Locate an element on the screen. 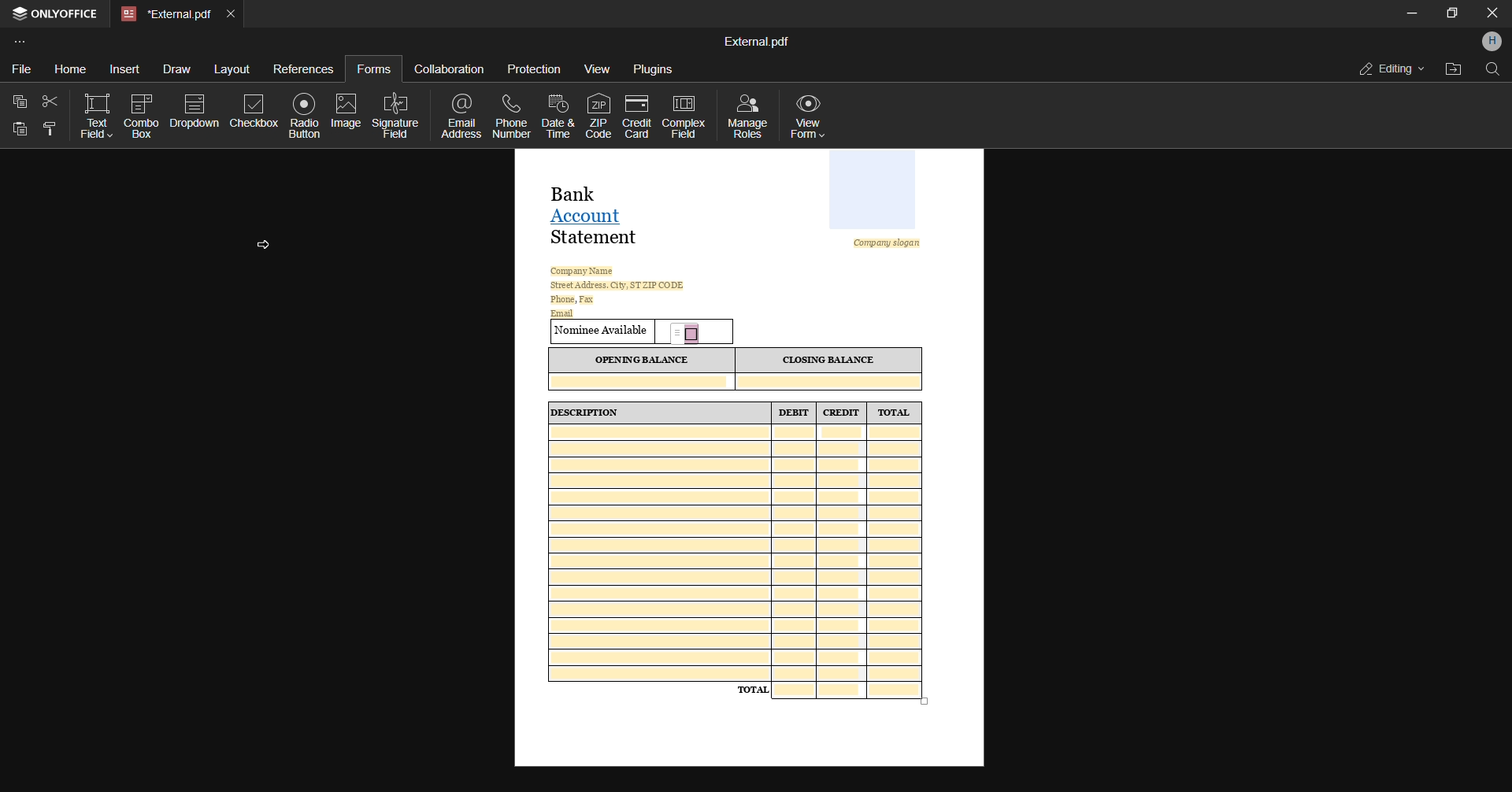 This screenshot has height=792, width=1512. date and time is located at coordinates (558, 118).